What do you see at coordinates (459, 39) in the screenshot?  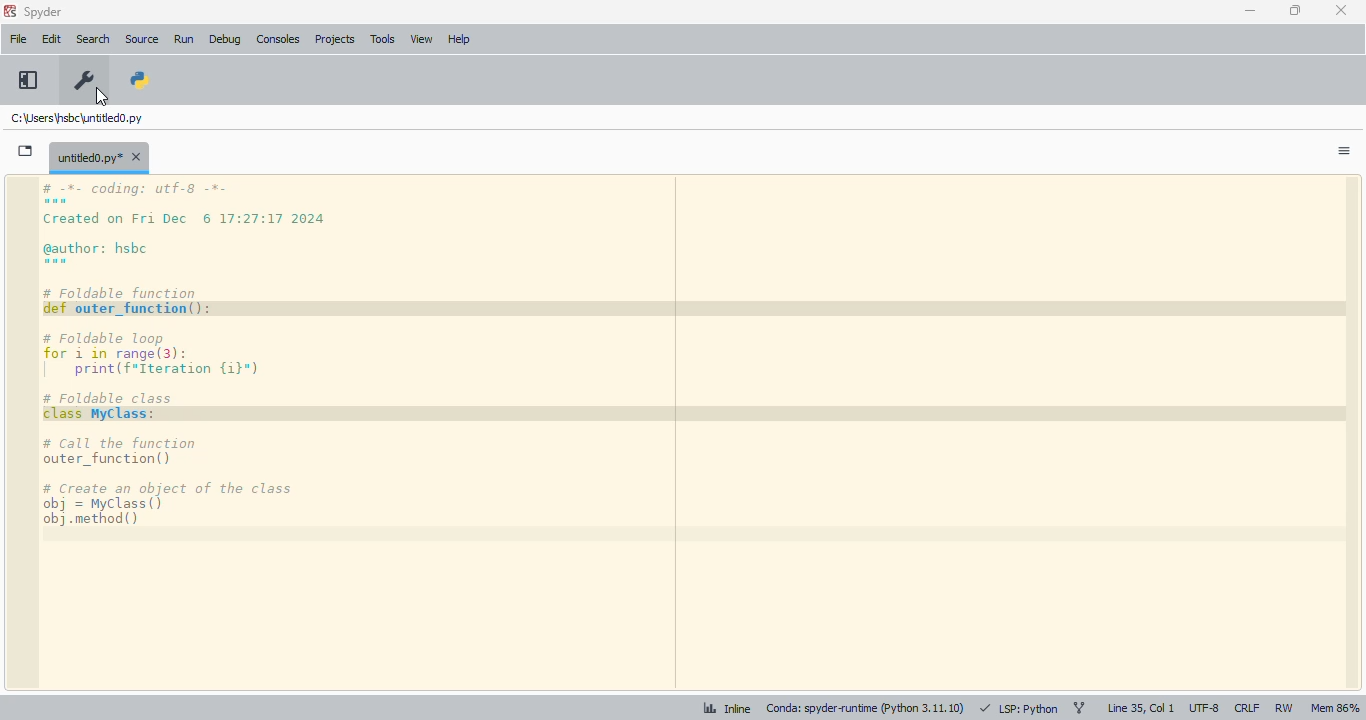 I see `help` at bounding box center [459, 39].